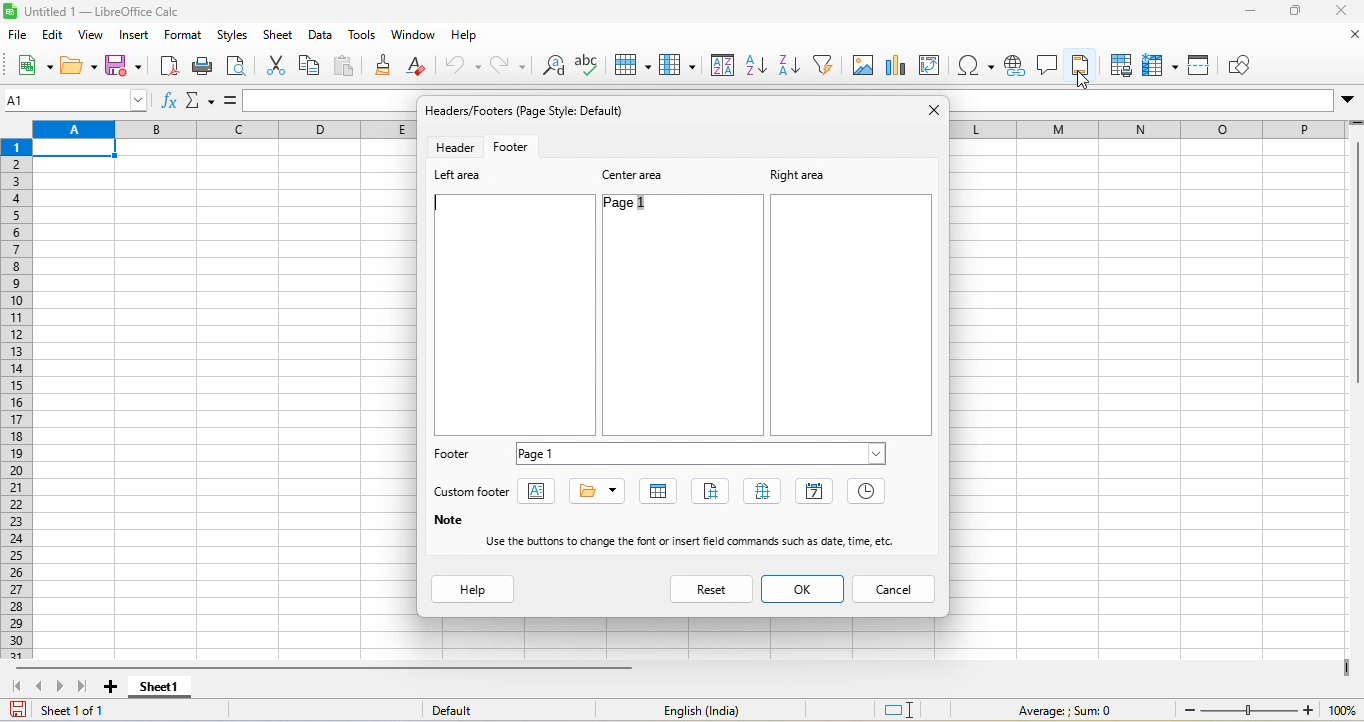  I want to click on export direct as pdf, so click(165, 70).